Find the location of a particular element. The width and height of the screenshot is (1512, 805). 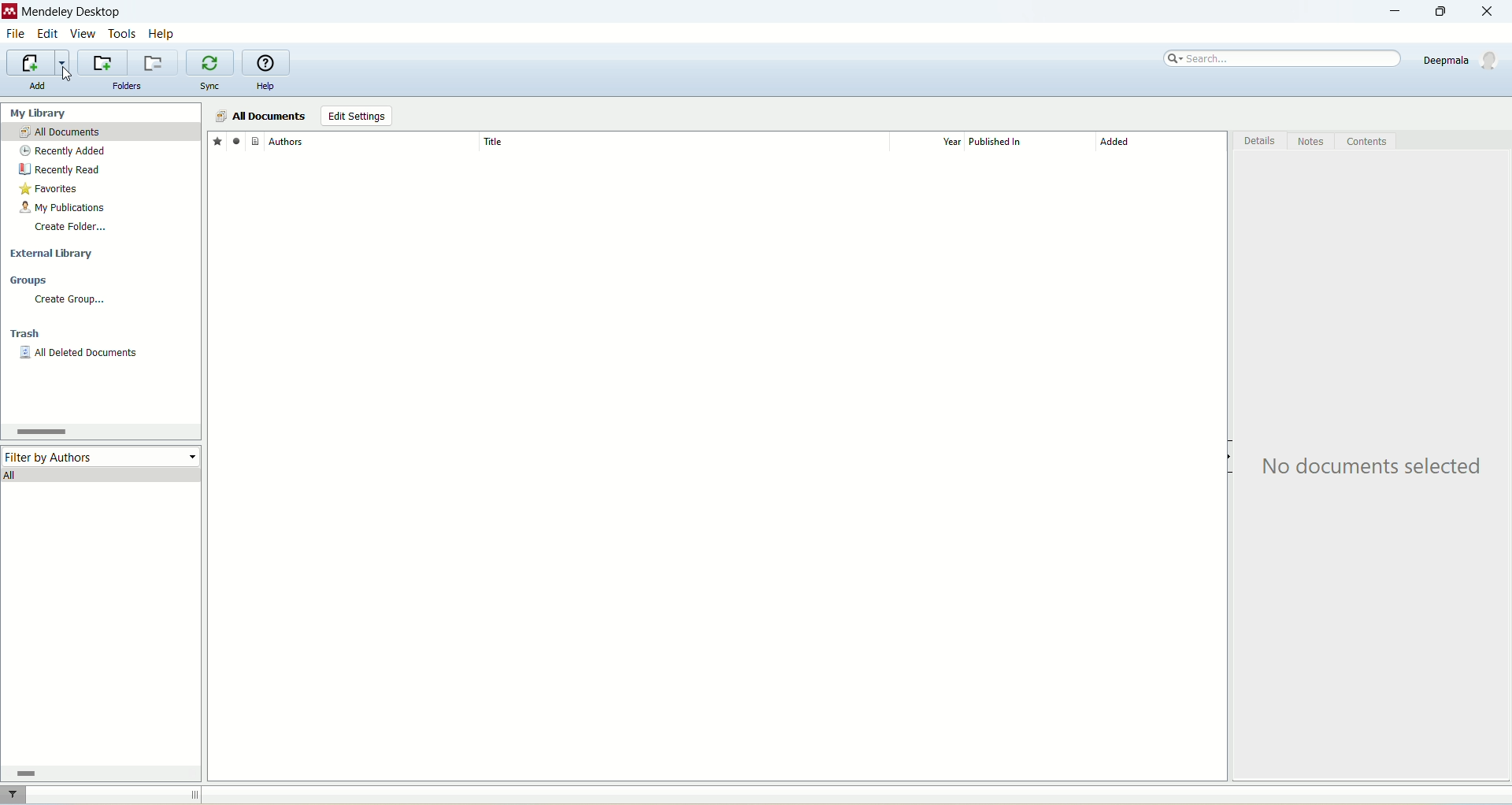

recently read is located at coordinates (59, 169).